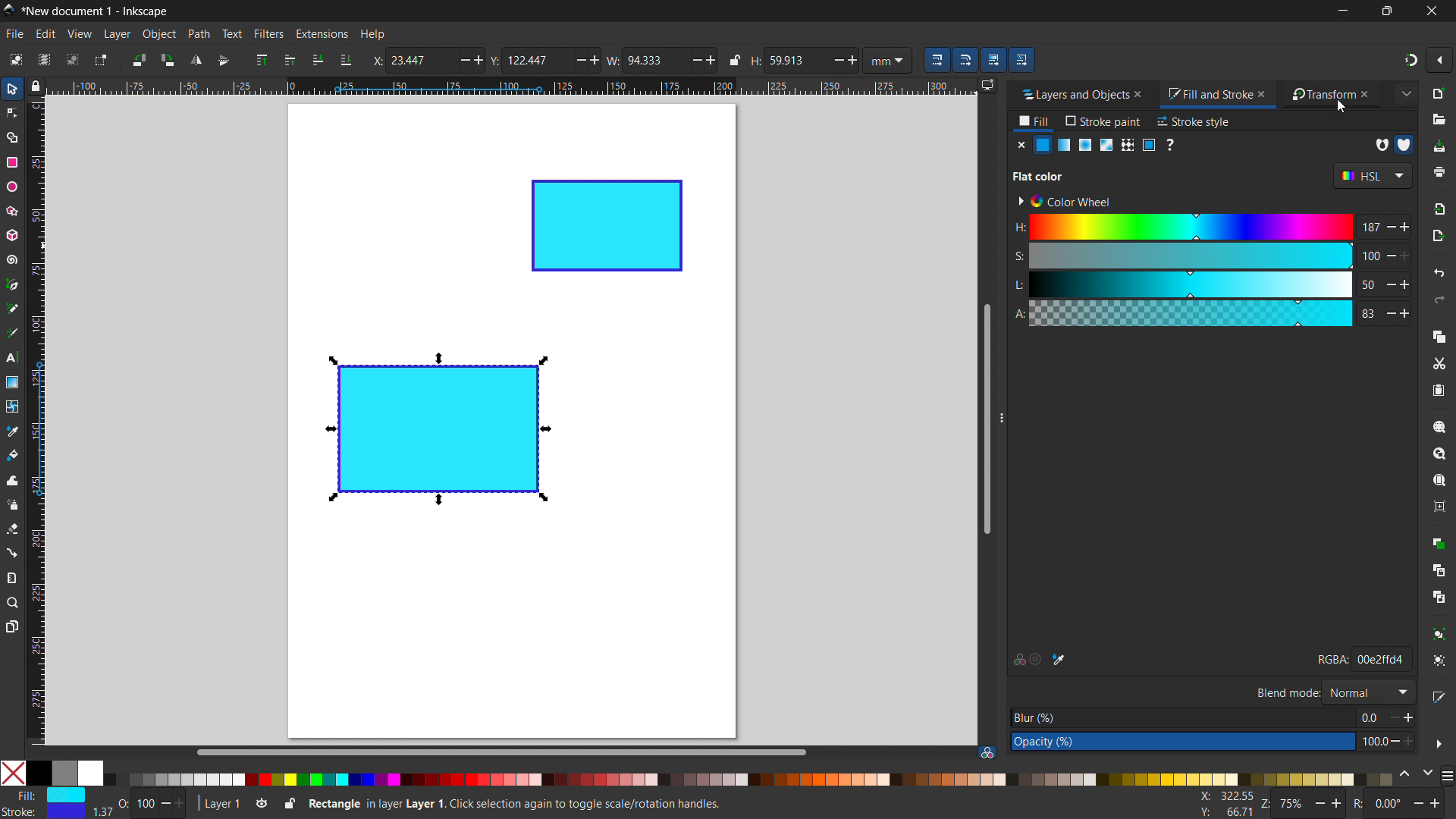 This screenshot has width=1456, height=819. What do you see at coordinates (518, 802) in the screenshot?
I see `Rectangle in Layer 1. Click selection again to toggle scale/ rotation handles` at bounding box center [518, 802].